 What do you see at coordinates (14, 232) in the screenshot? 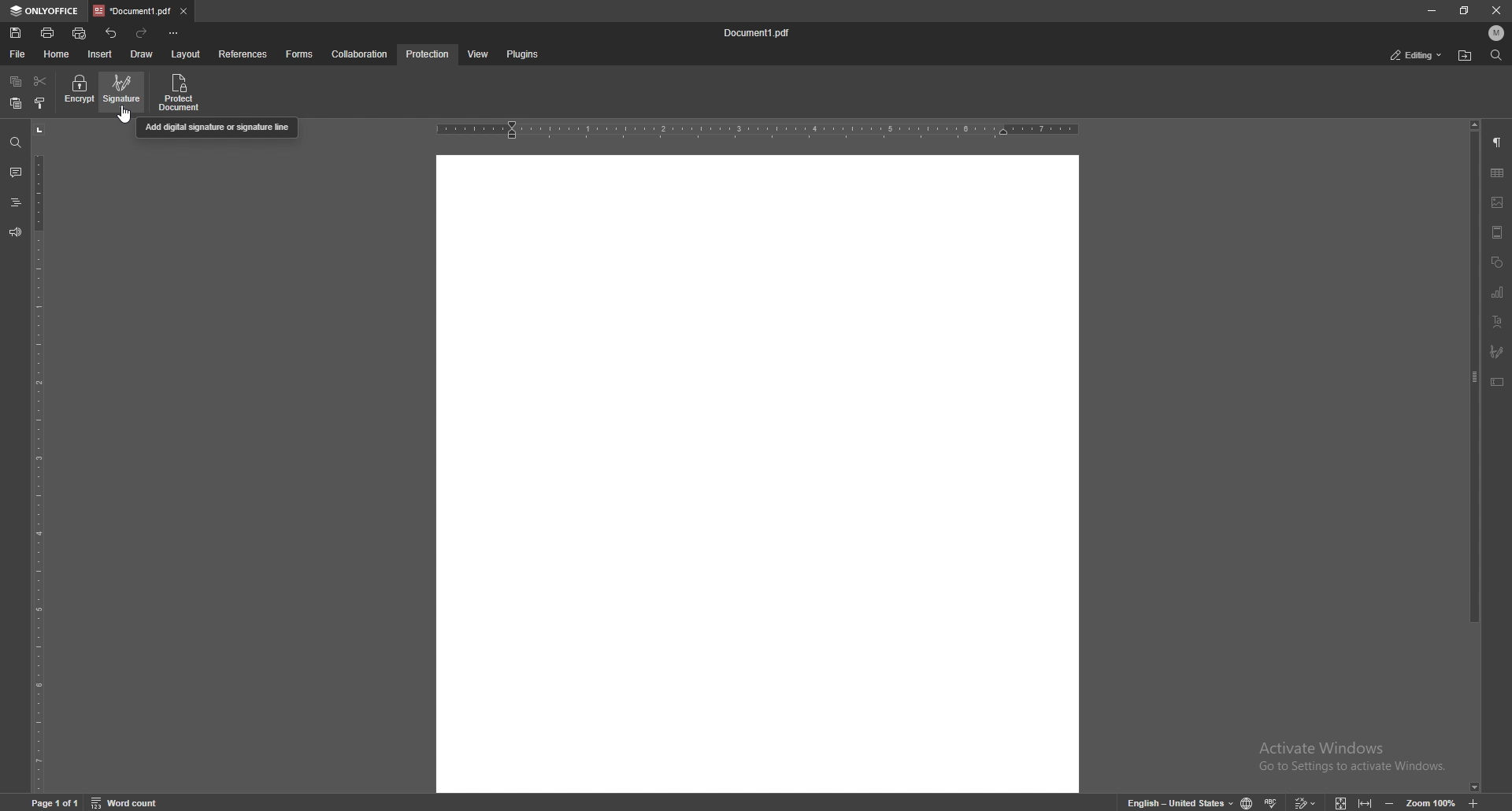
I see `feedback` at bounding box center [14, 232].